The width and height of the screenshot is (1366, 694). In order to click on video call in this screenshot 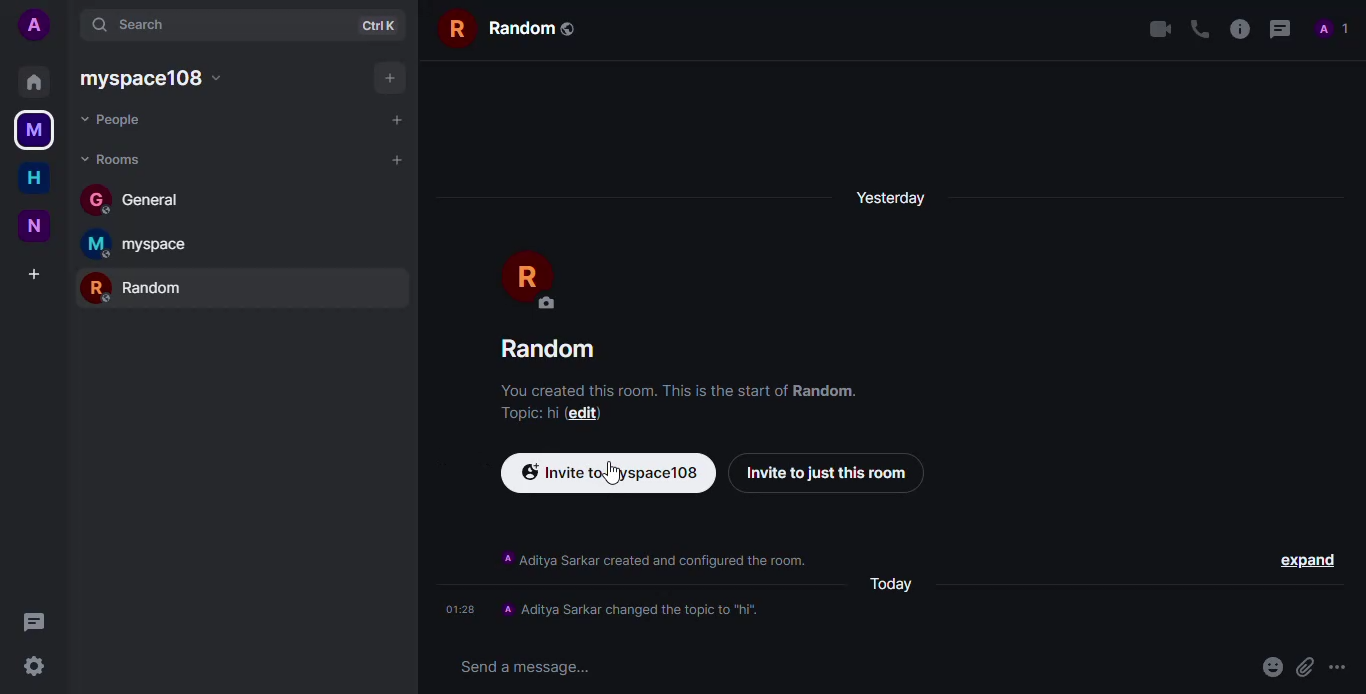, I will do `click(1154, 29)`.